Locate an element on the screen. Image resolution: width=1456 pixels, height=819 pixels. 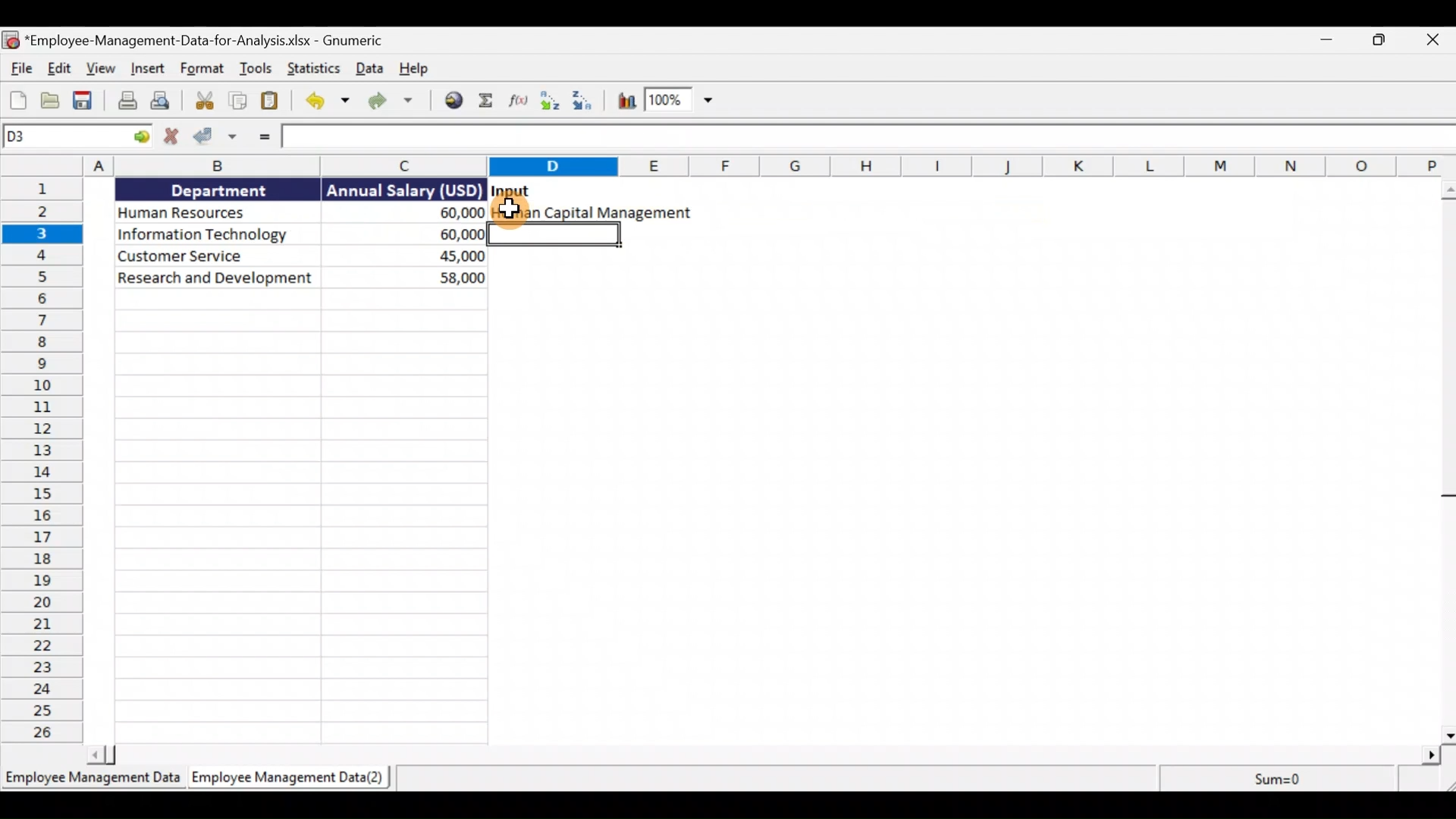
Cancel change is located at coordinates (170, 140).